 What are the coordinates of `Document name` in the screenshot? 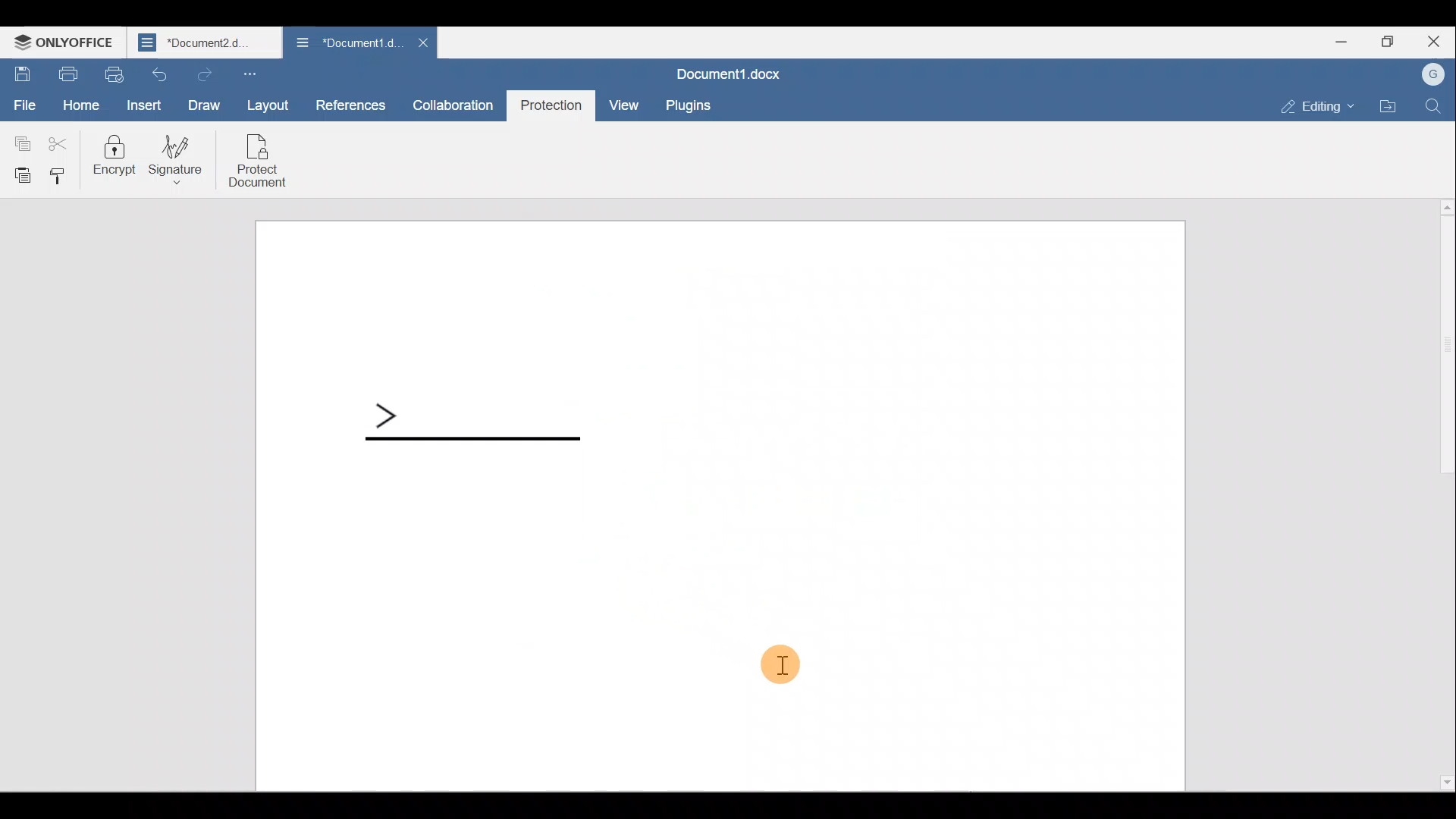 It's located at (347, 41).